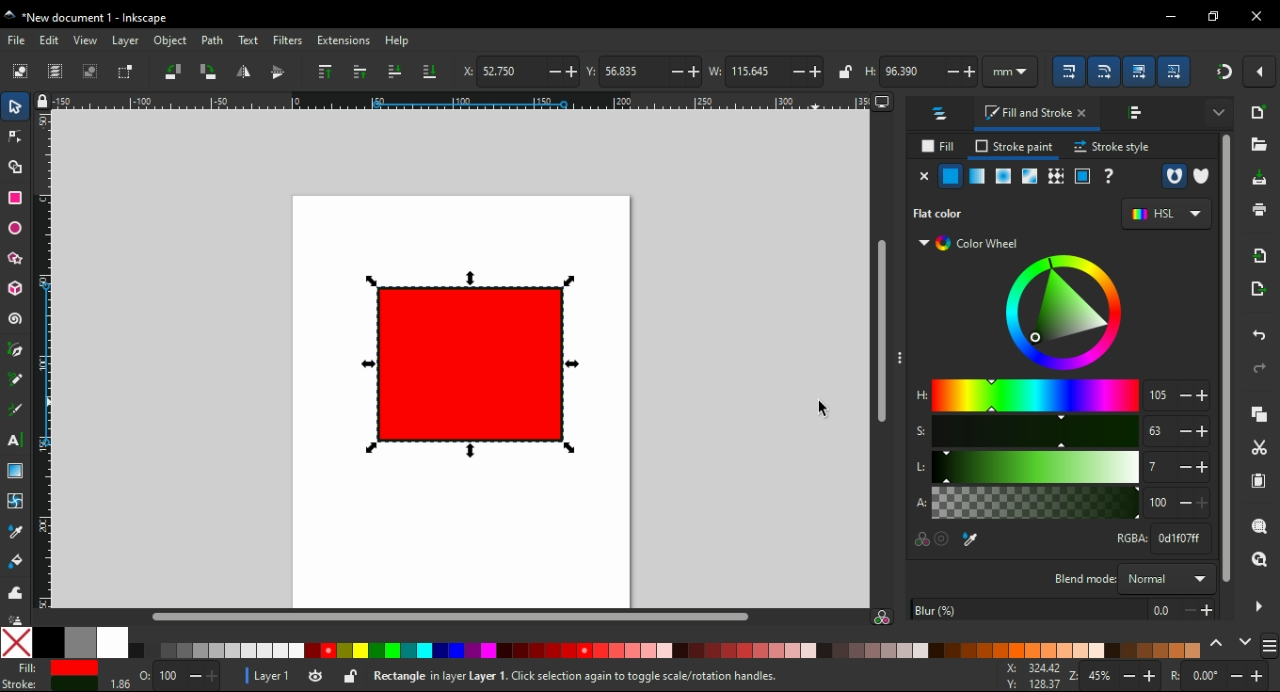  Describe the element at coordinates (1028, 609) in the screenshot. I see `blur` at that location.